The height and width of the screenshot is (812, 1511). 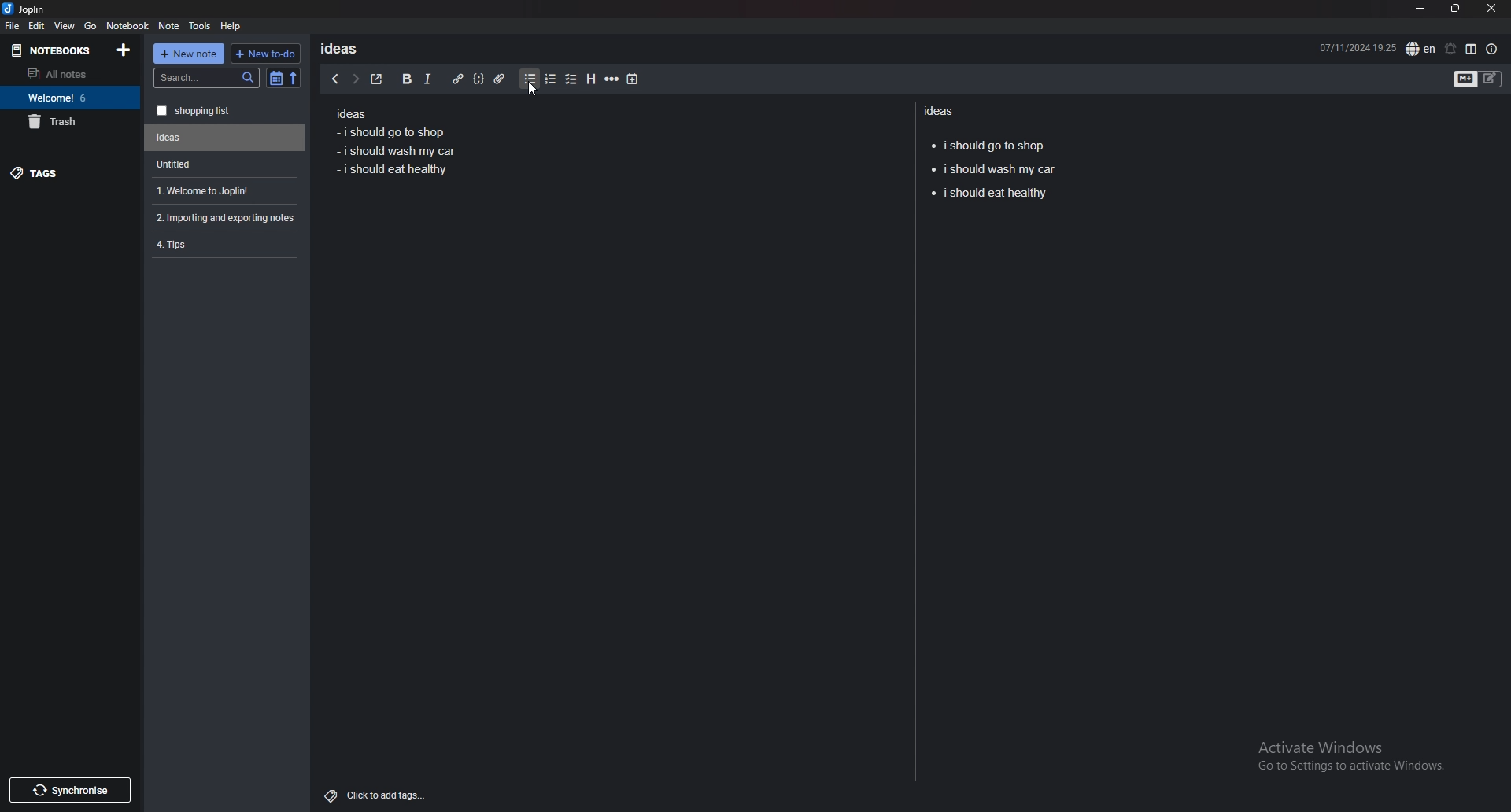 I want to click on bullet list, so click(x=530, y=79).